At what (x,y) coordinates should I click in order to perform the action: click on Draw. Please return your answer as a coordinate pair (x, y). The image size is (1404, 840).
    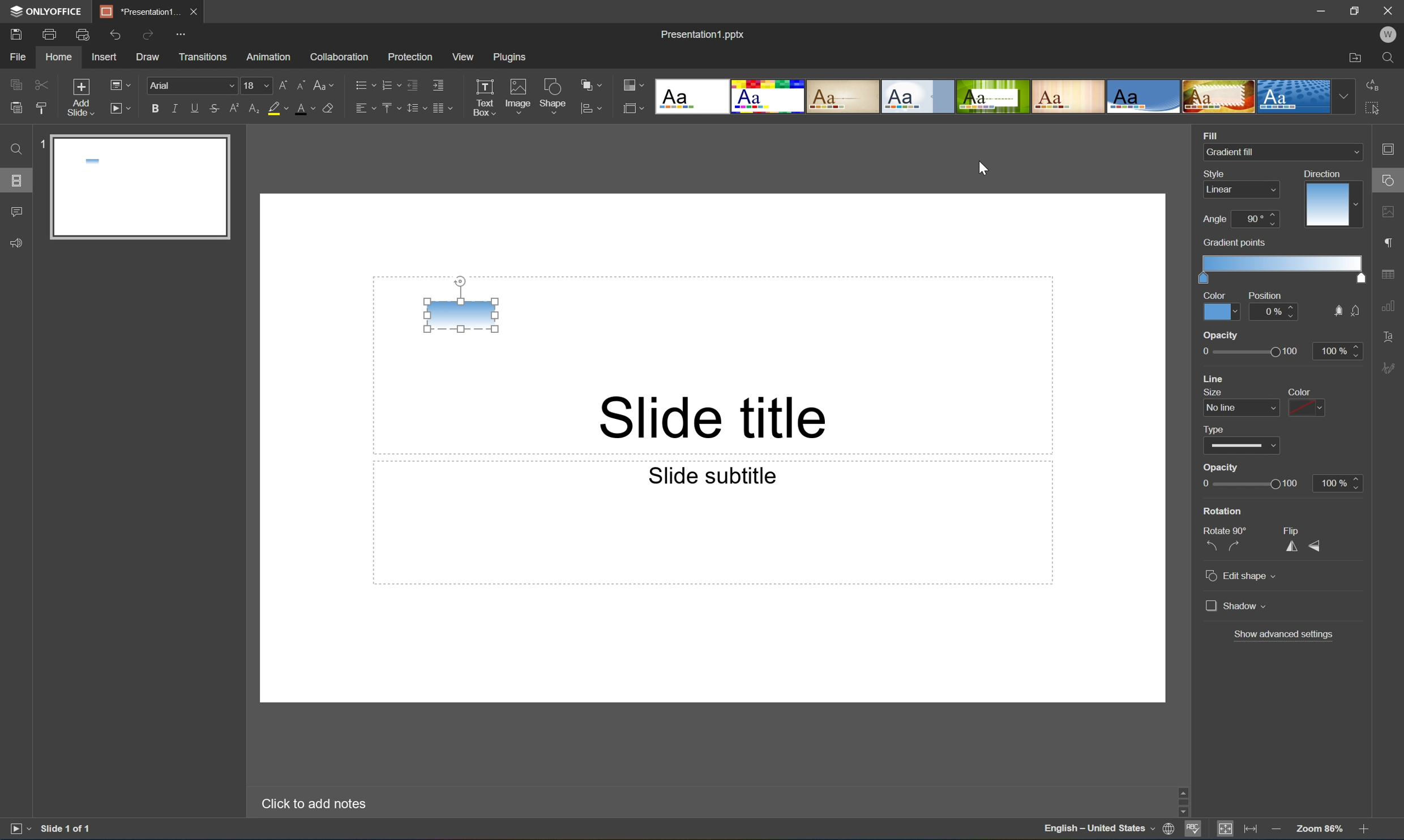
    Looking at the image, I should click on (149, 57).